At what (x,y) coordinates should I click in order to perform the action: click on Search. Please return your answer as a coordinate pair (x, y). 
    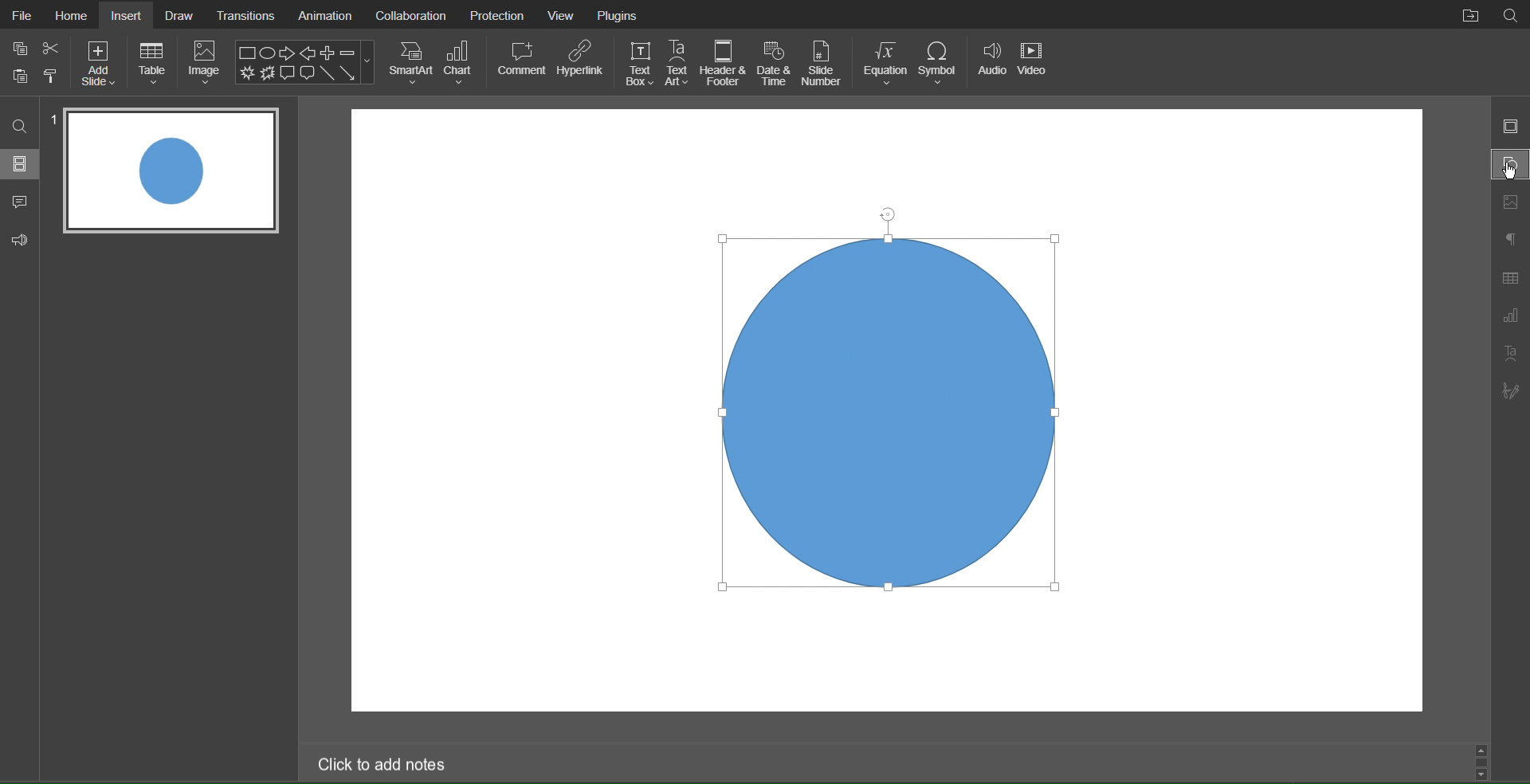
    Looking at the image, I should click on (20, 126).